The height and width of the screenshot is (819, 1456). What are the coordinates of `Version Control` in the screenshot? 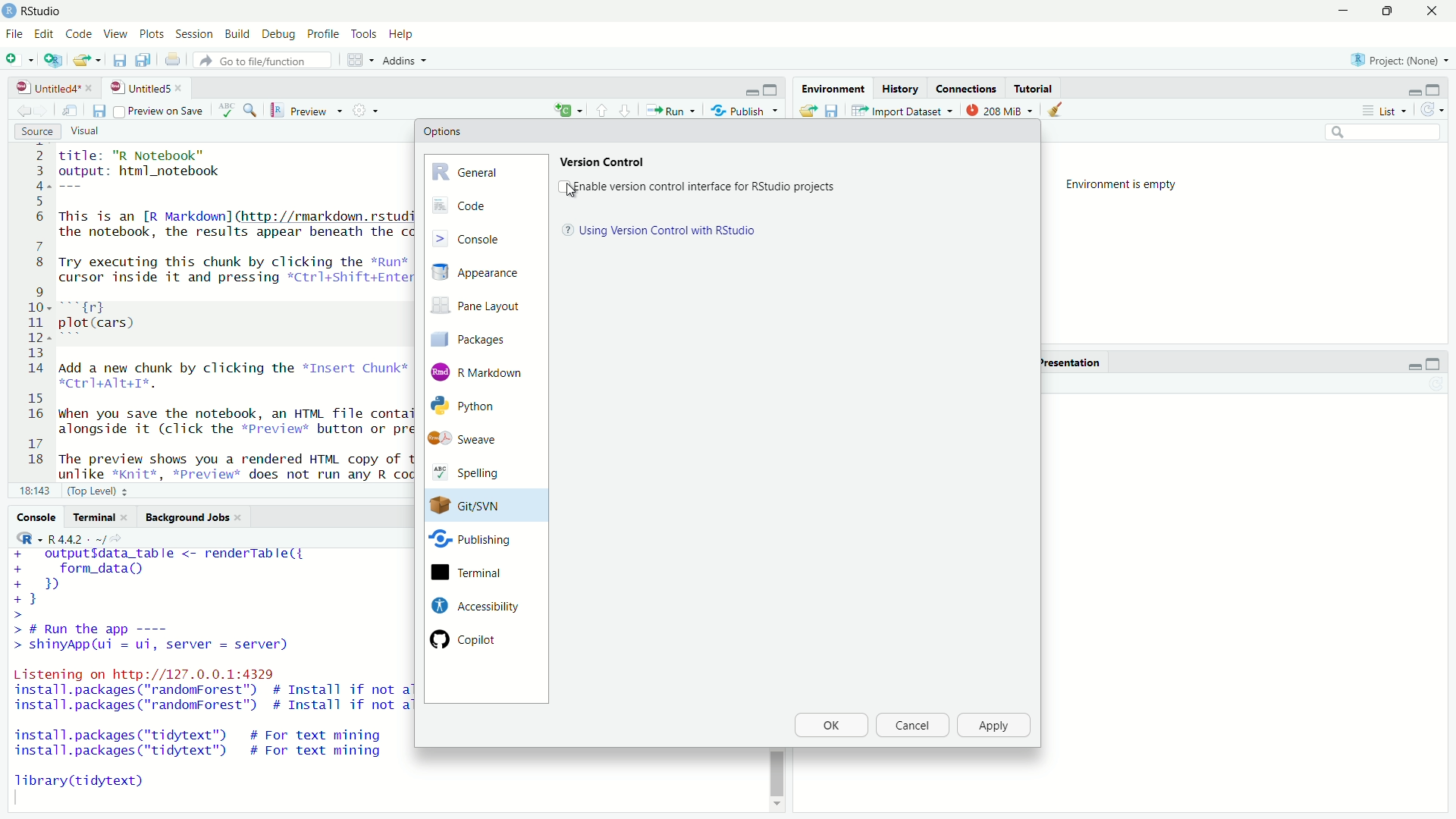 It's located at (604, 161).